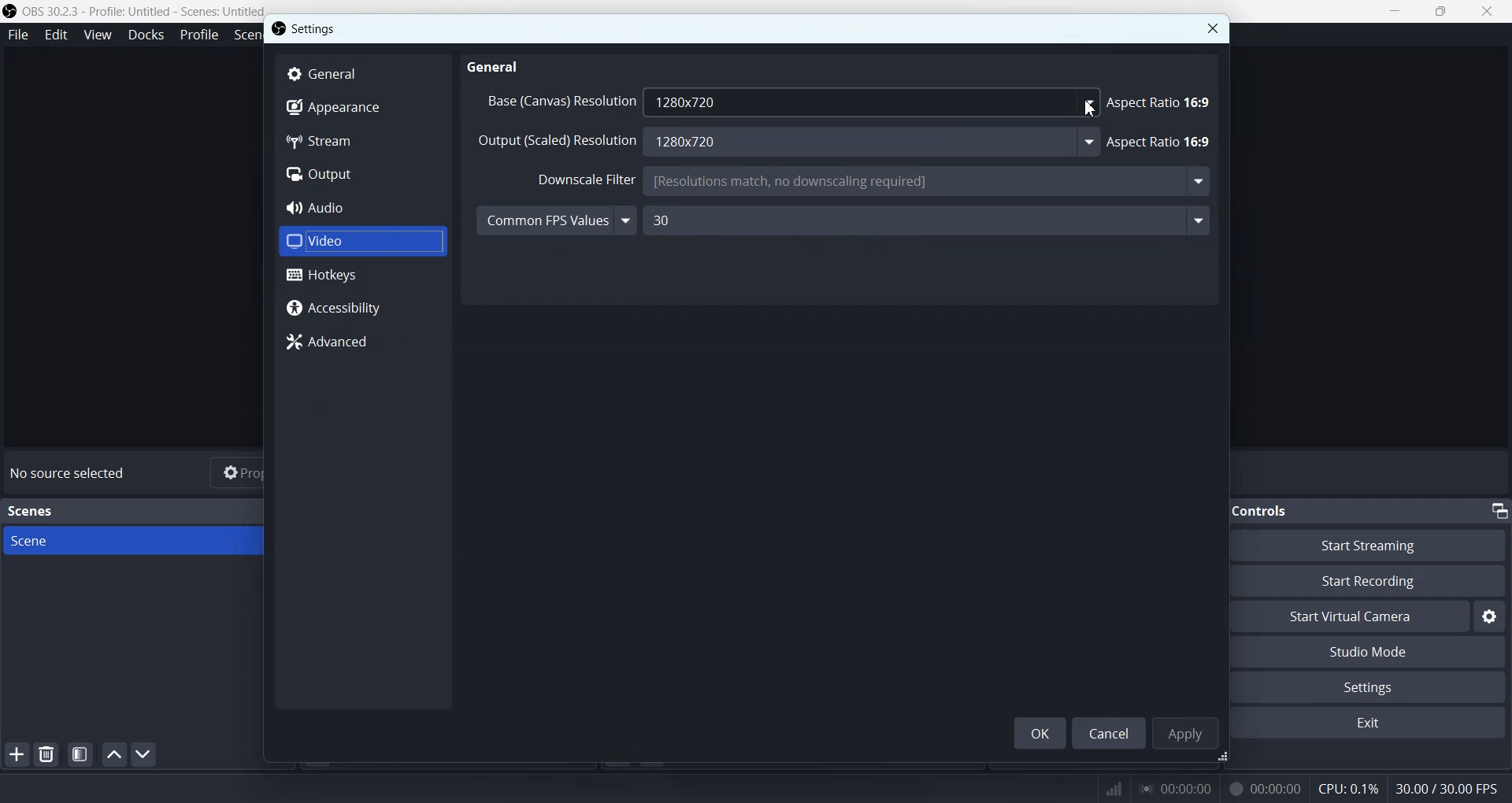 This screenshot has height=803, width=1512. What do you see at coordinates (362, 174) in the screenshot?
I see `Output` at bounding box center [362, 174].